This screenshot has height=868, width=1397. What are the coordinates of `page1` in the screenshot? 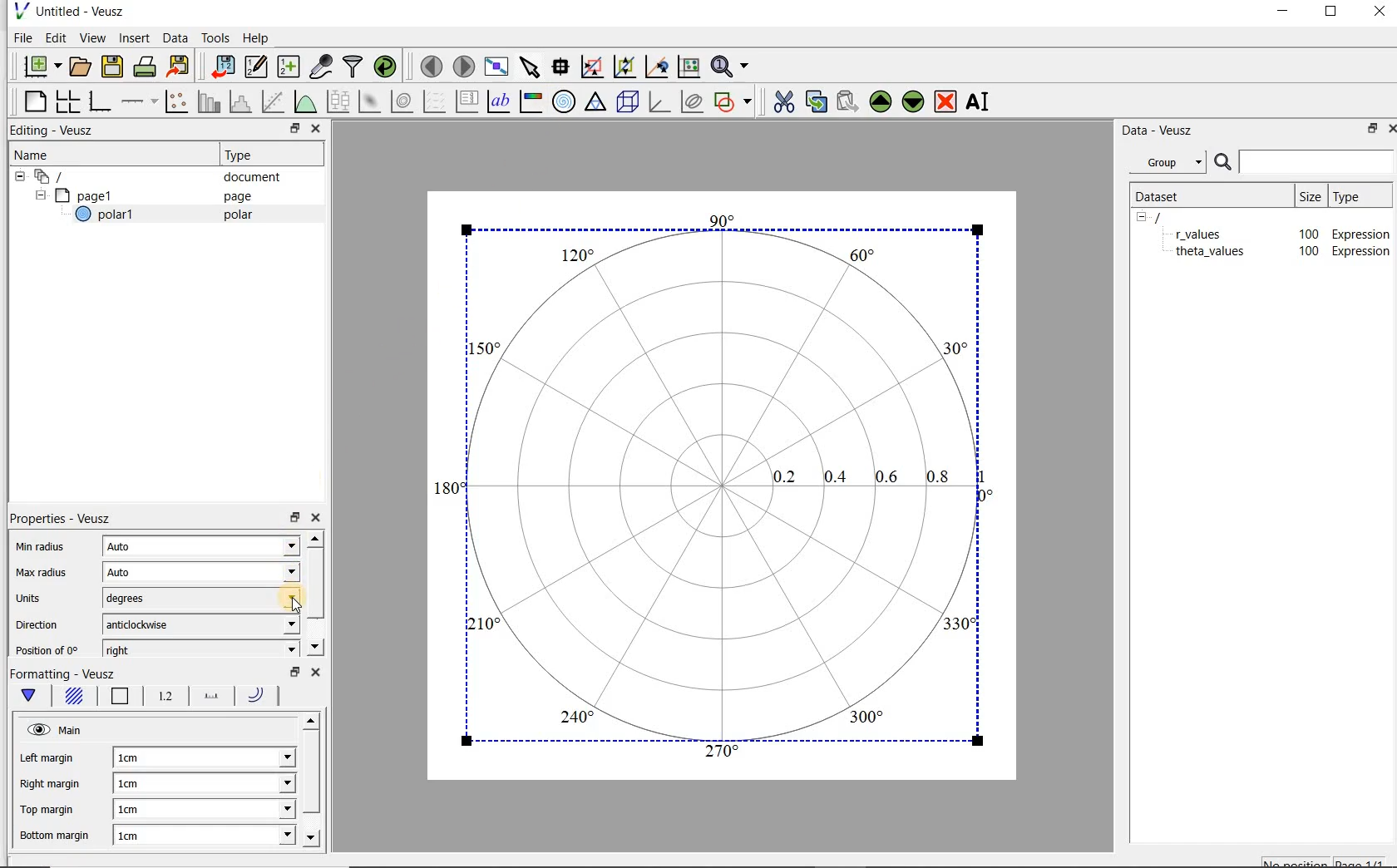 It's located at (92, 196).